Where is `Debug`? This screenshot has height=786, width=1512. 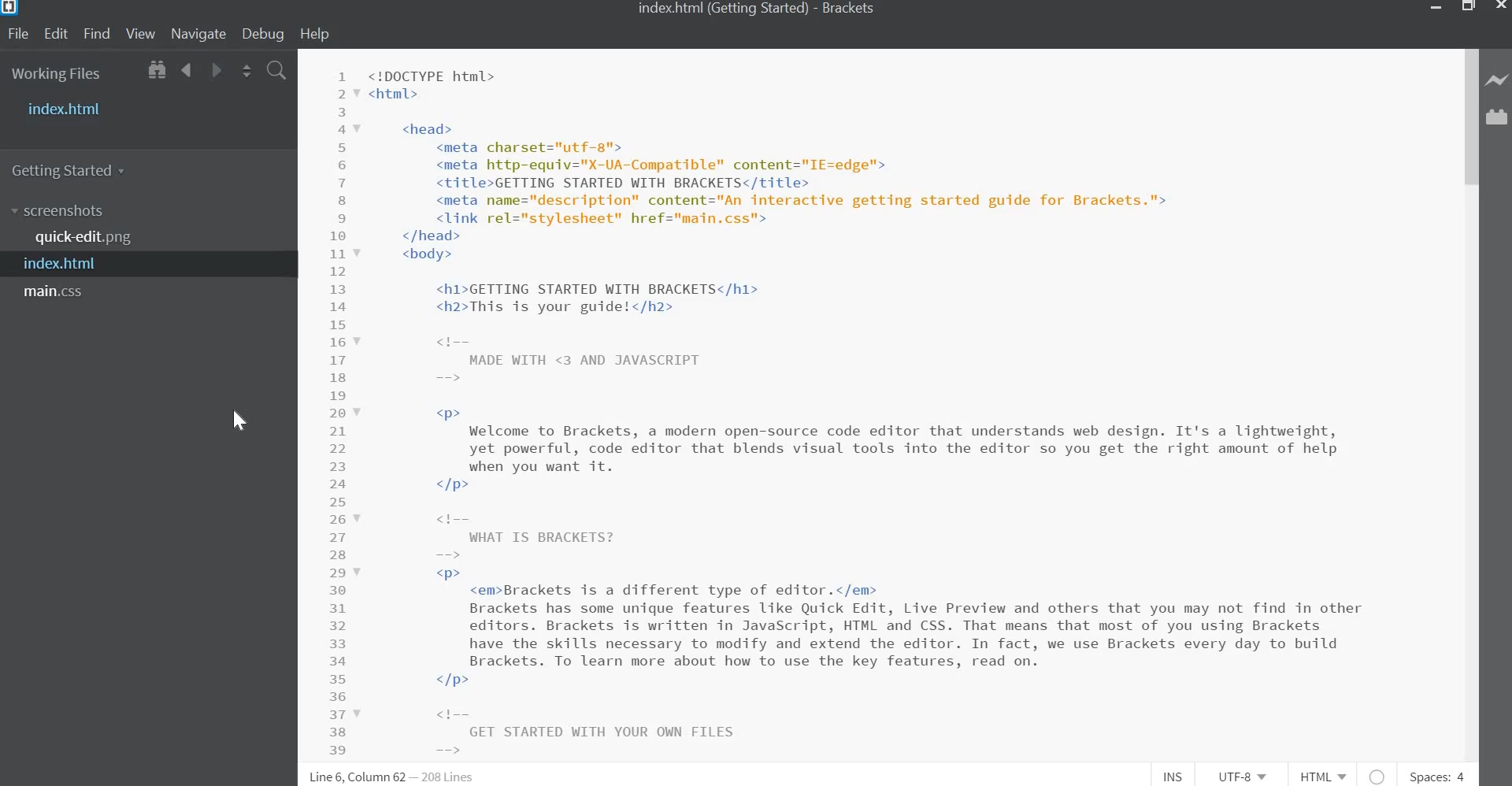 Debug is located at coordinates (265, 34).